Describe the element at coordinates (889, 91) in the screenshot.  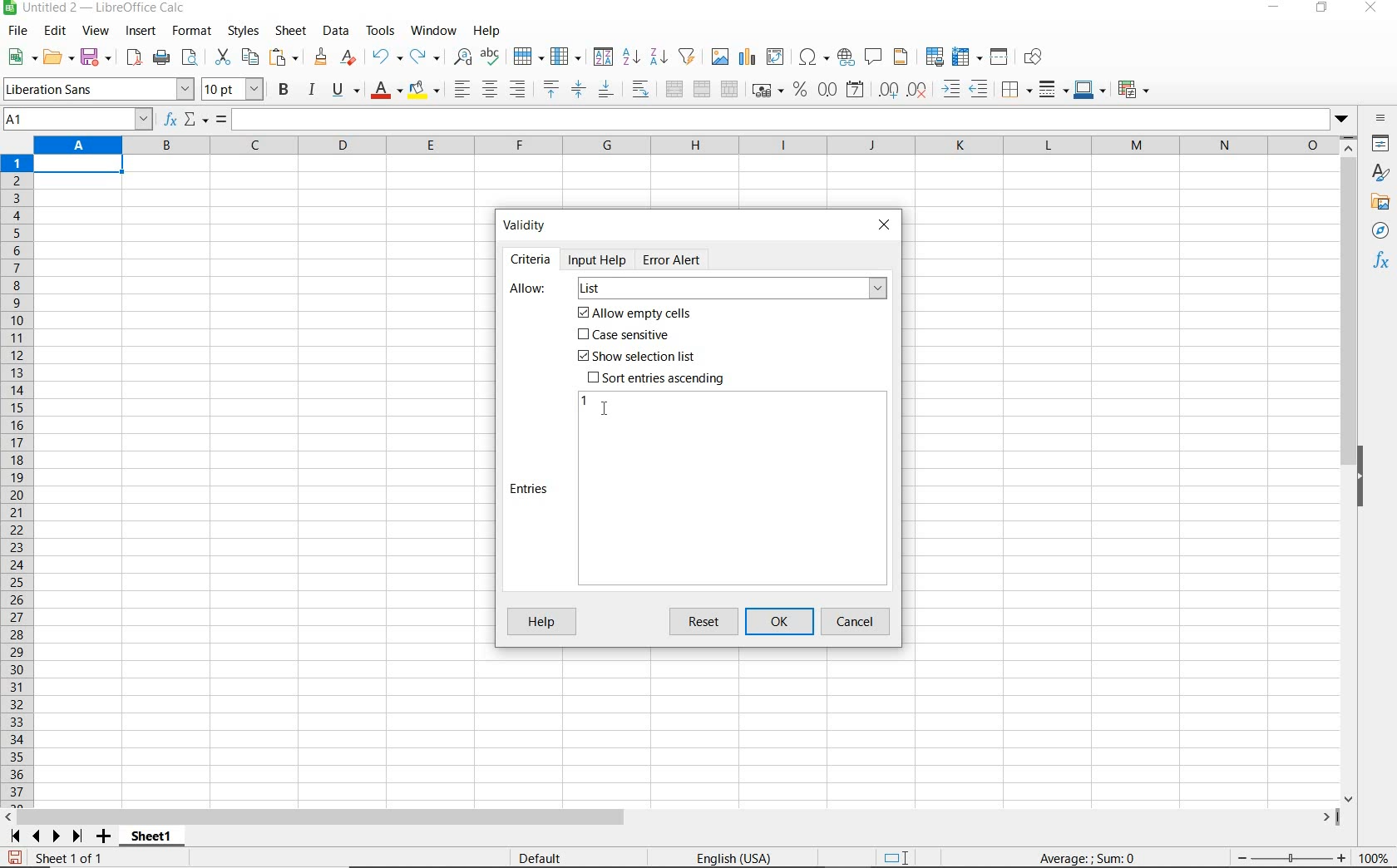
I see `add decimal place` at that location.